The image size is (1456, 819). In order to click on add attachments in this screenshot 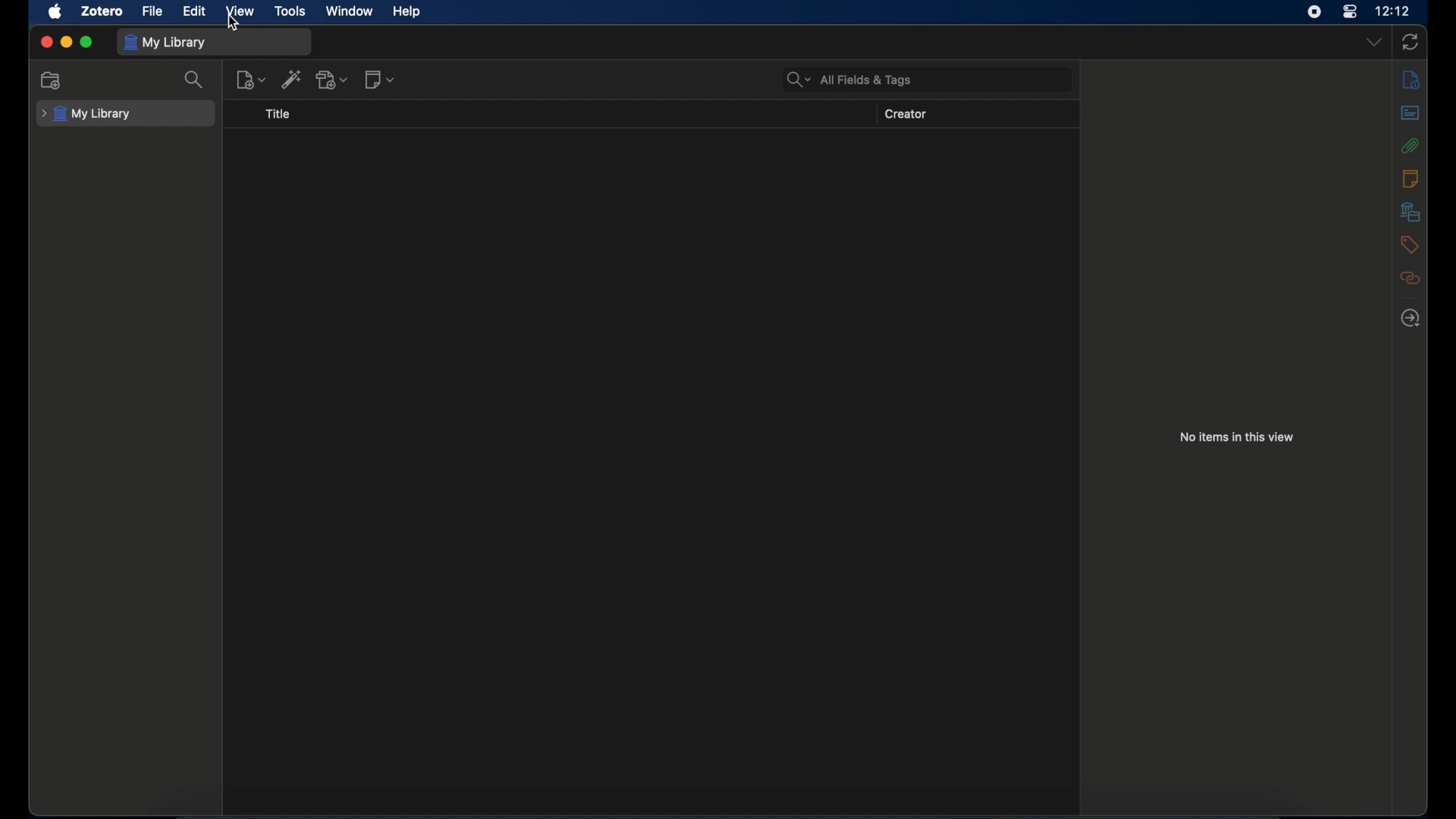, I will do `click(333, 80)`.